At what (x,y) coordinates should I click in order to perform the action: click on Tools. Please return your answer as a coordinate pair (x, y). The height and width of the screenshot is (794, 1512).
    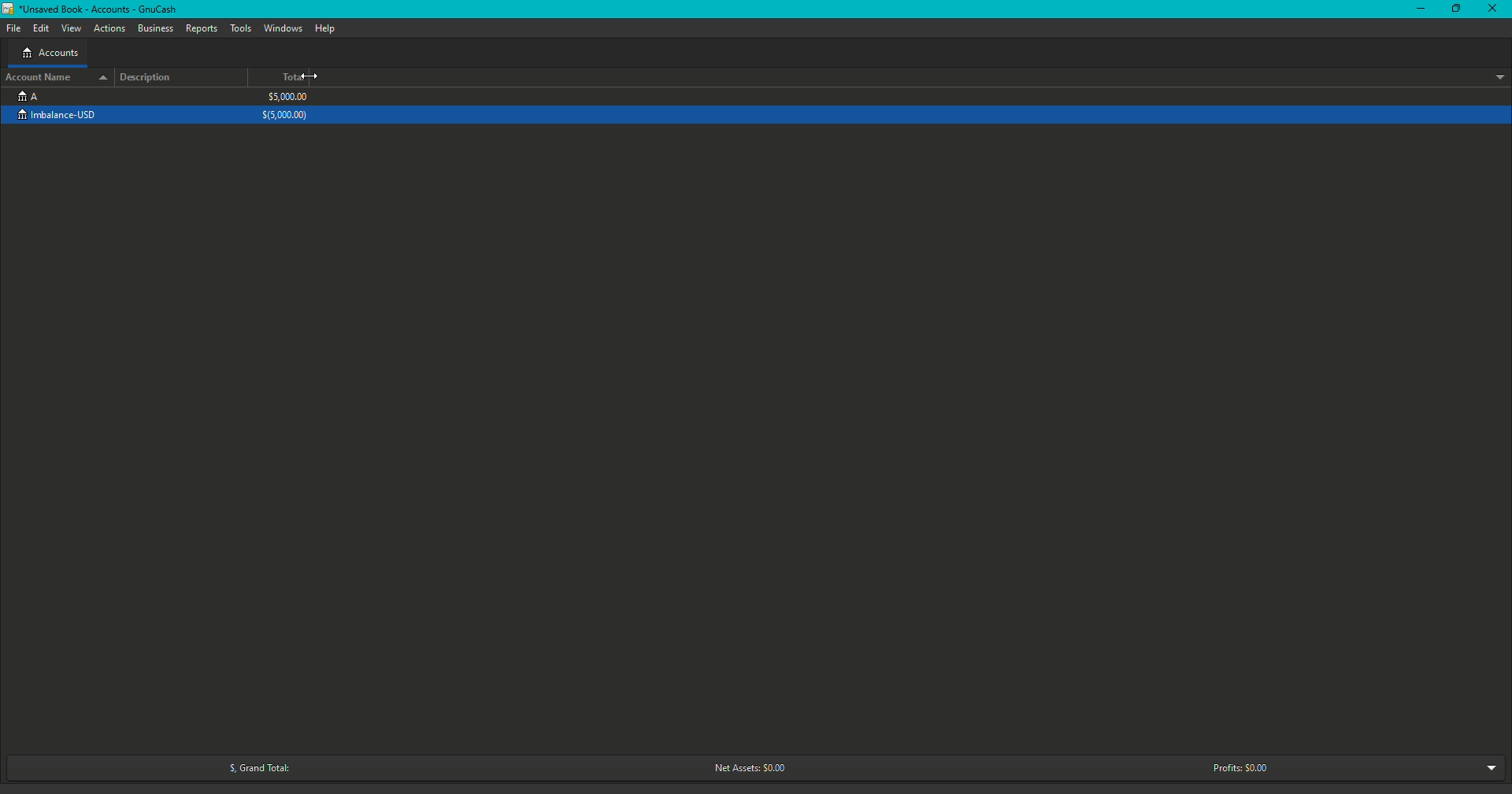
    Looking at the image, I should click on (243, 28).